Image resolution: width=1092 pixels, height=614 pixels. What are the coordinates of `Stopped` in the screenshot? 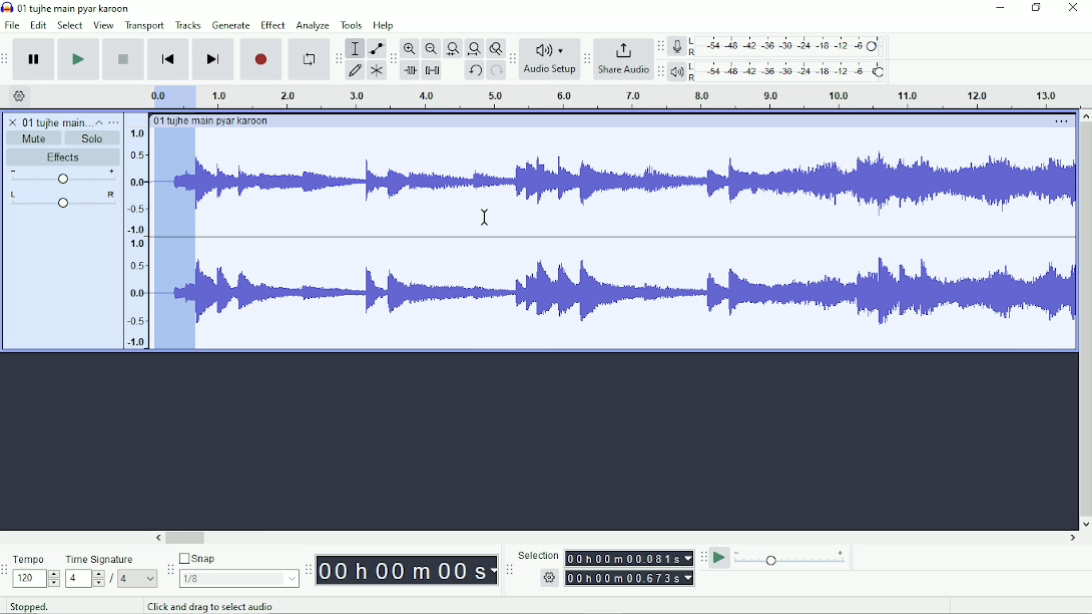 It's located at (43, 604).